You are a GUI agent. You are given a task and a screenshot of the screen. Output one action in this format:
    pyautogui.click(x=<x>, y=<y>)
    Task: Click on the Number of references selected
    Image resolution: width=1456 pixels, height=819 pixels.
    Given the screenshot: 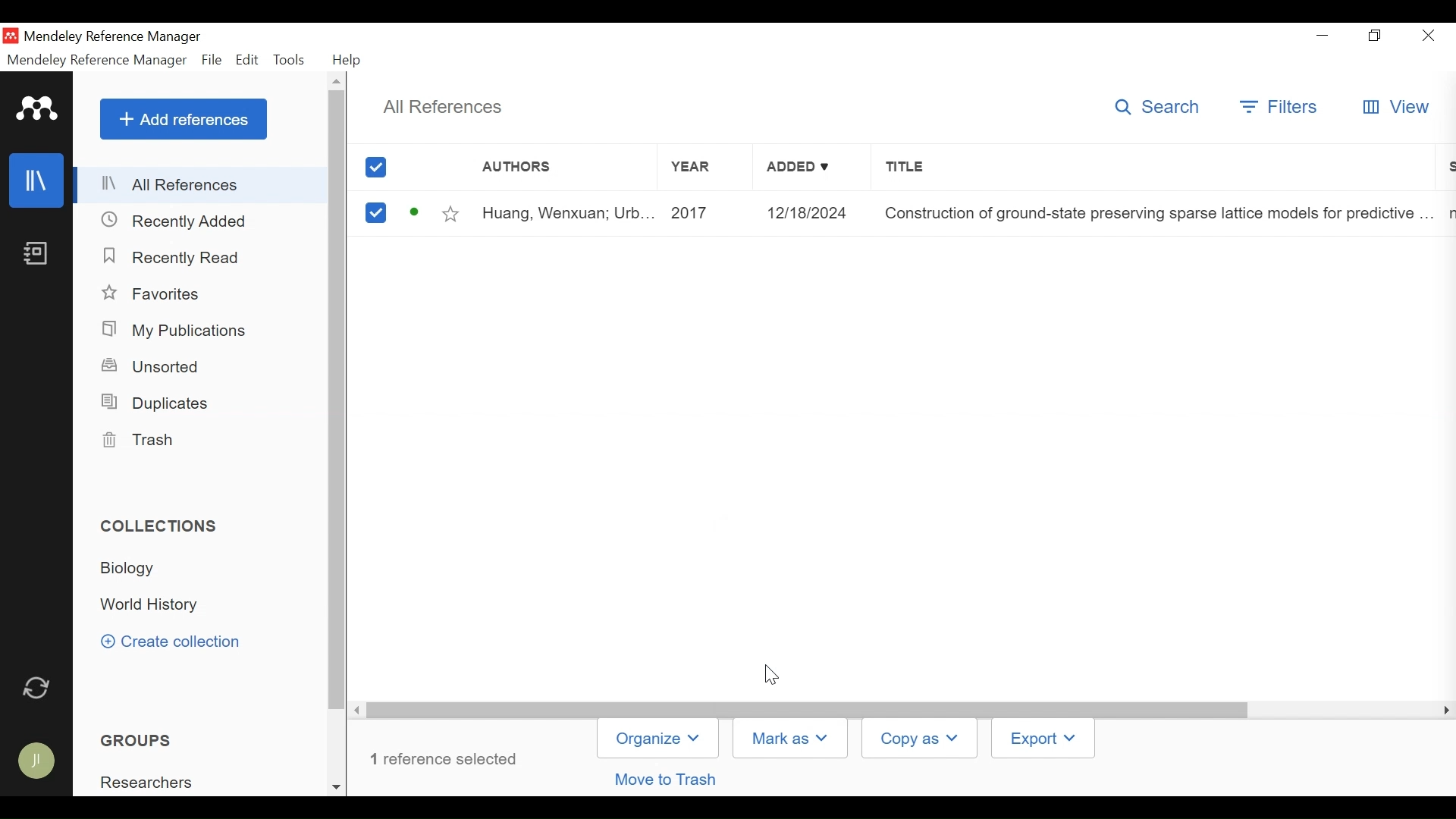 What is the action you would take?
    pyautogui.click(x=442, y=757)
    